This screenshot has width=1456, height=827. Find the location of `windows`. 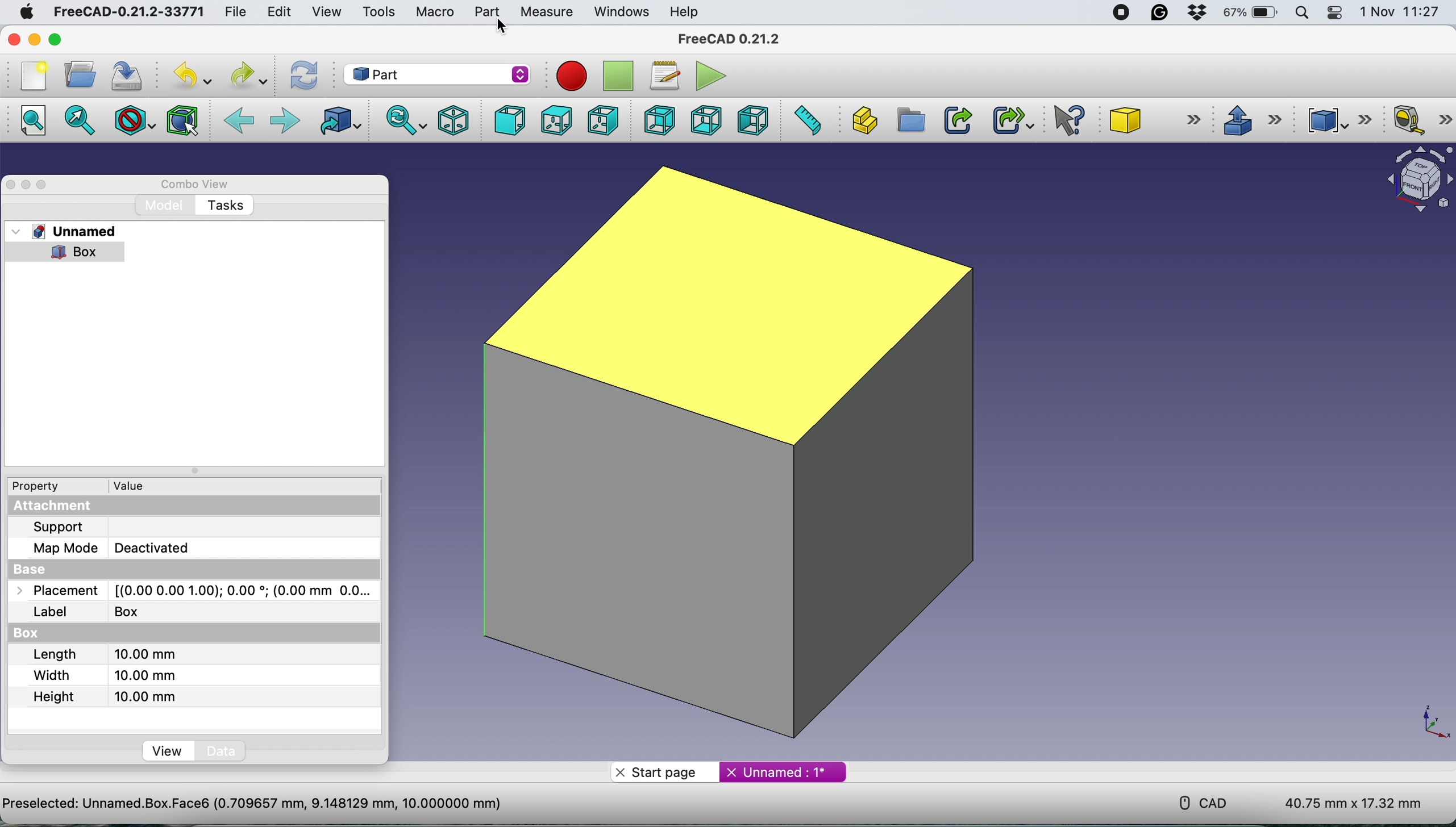

windows is located at coordinates (623, 12).